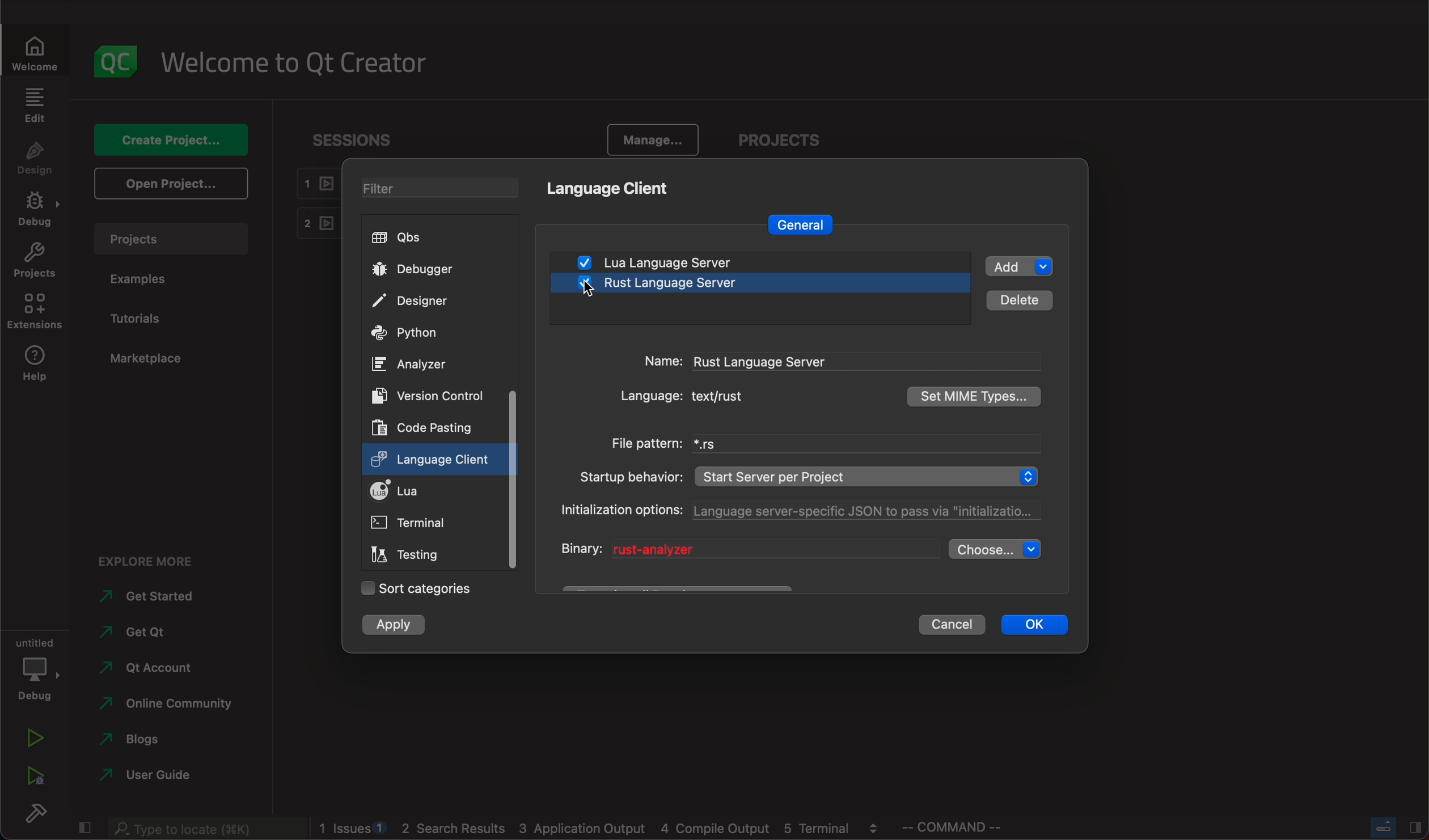 Image resolution: width=1429 pixels, height=840 pixels. Describe the element at coordinates (36, 159) in the screenshot. I see `design` at that location.